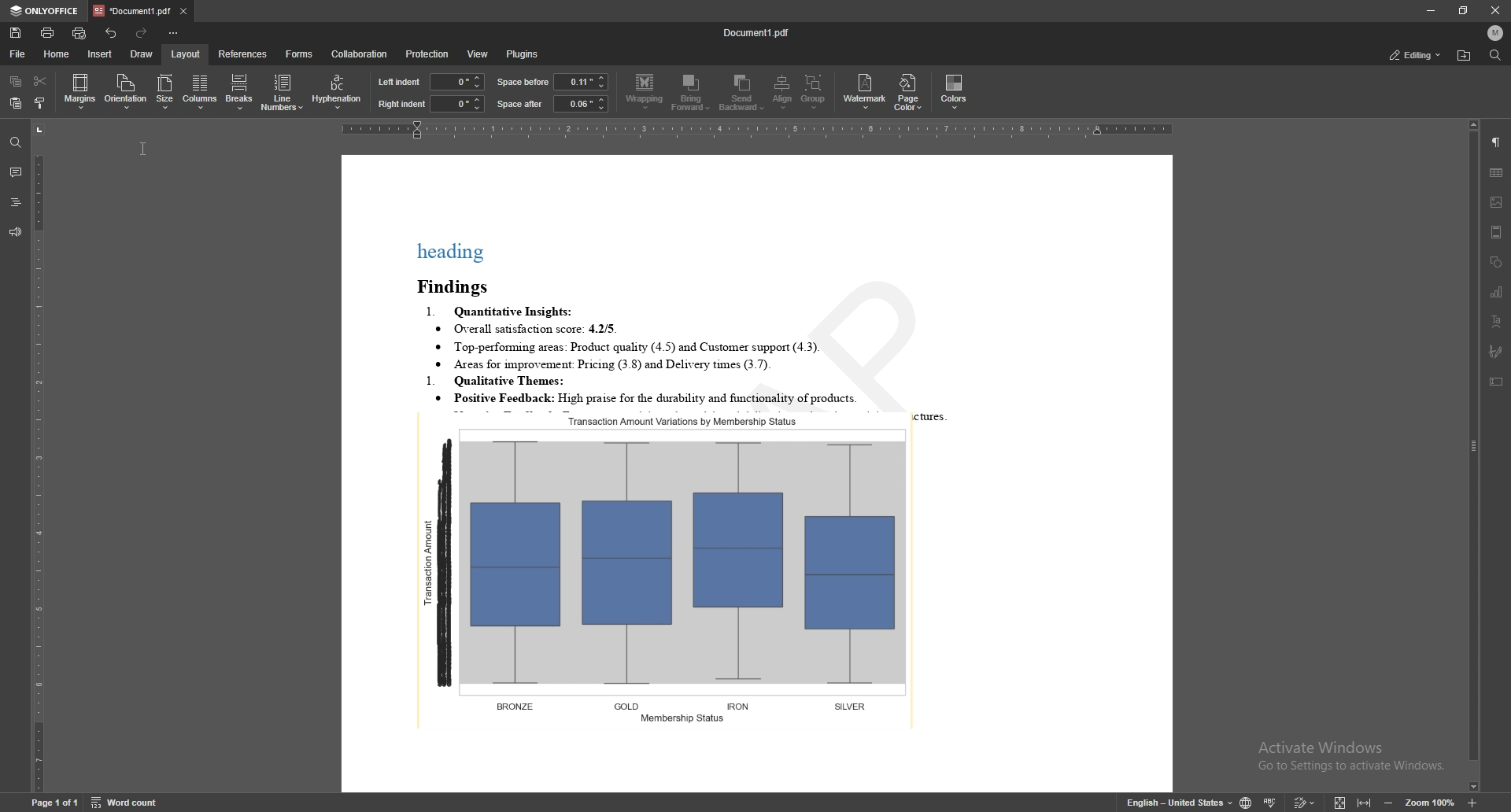  Describe the element at coordinates (39, 103) in the screenshot. I see `copy style` at that location.